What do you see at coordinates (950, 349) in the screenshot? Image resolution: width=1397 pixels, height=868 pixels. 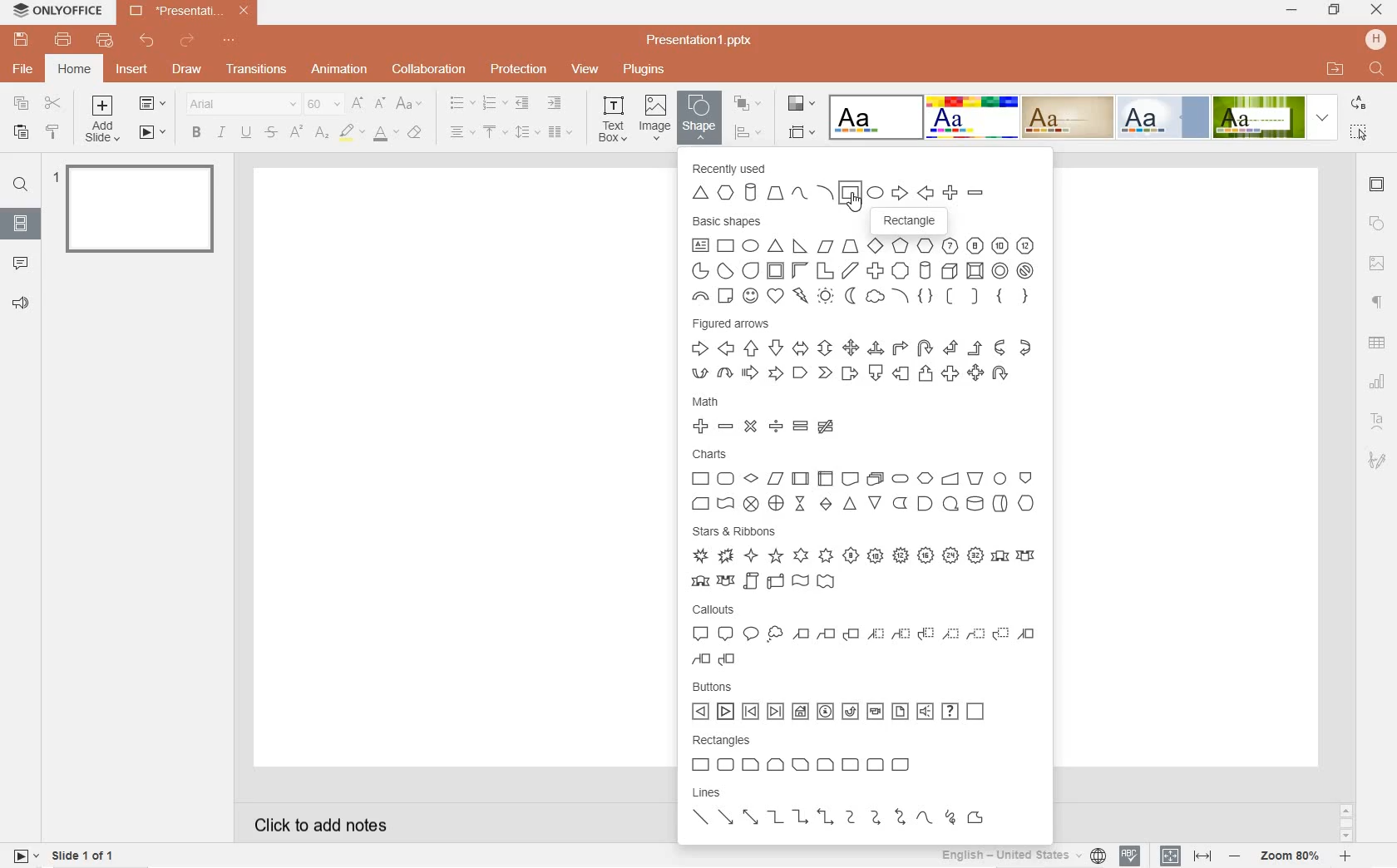 I see `Left Up Arrow` at bounding box center [950, 349].